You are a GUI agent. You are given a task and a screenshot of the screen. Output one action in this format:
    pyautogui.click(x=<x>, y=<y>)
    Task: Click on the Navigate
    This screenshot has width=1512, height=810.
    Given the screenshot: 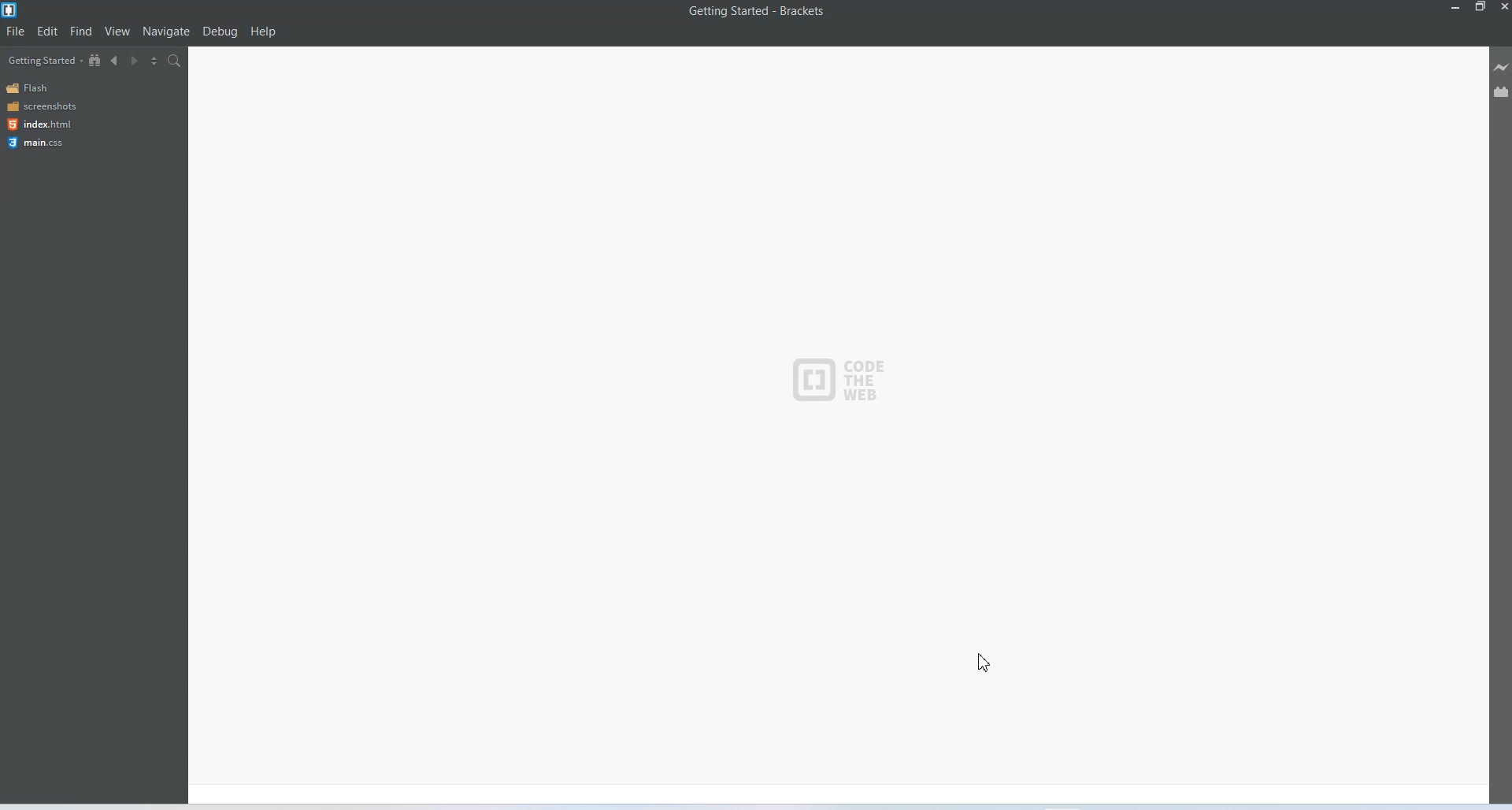 What is the action you would take?
    pyautogui.click(x=166, y=32)
    